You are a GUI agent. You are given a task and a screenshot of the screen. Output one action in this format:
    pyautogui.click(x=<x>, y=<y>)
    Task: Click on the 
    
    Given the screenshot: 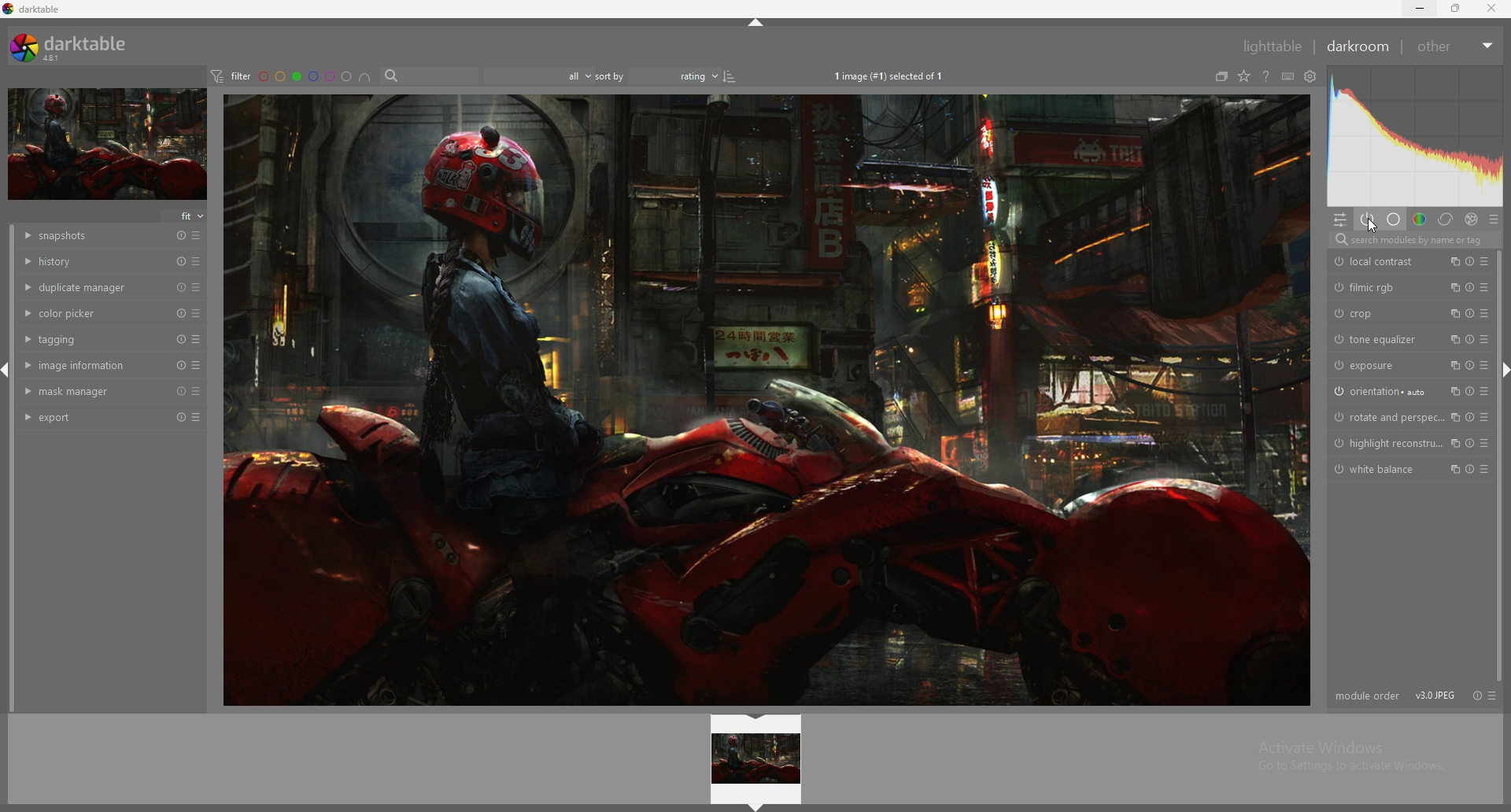 What is the action you would take?
    pyautogui.click(x=1469, y=471)
    